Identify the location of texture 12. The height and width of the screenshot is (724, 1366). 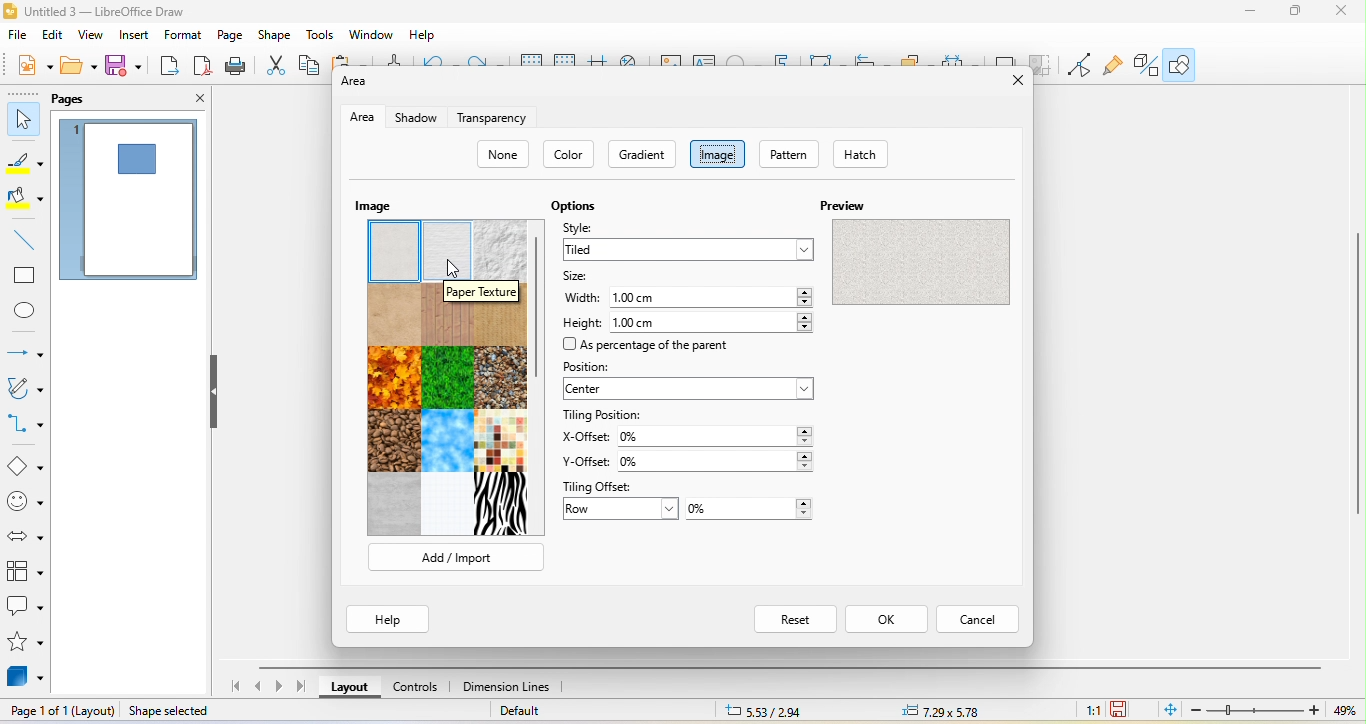
(501, 441).